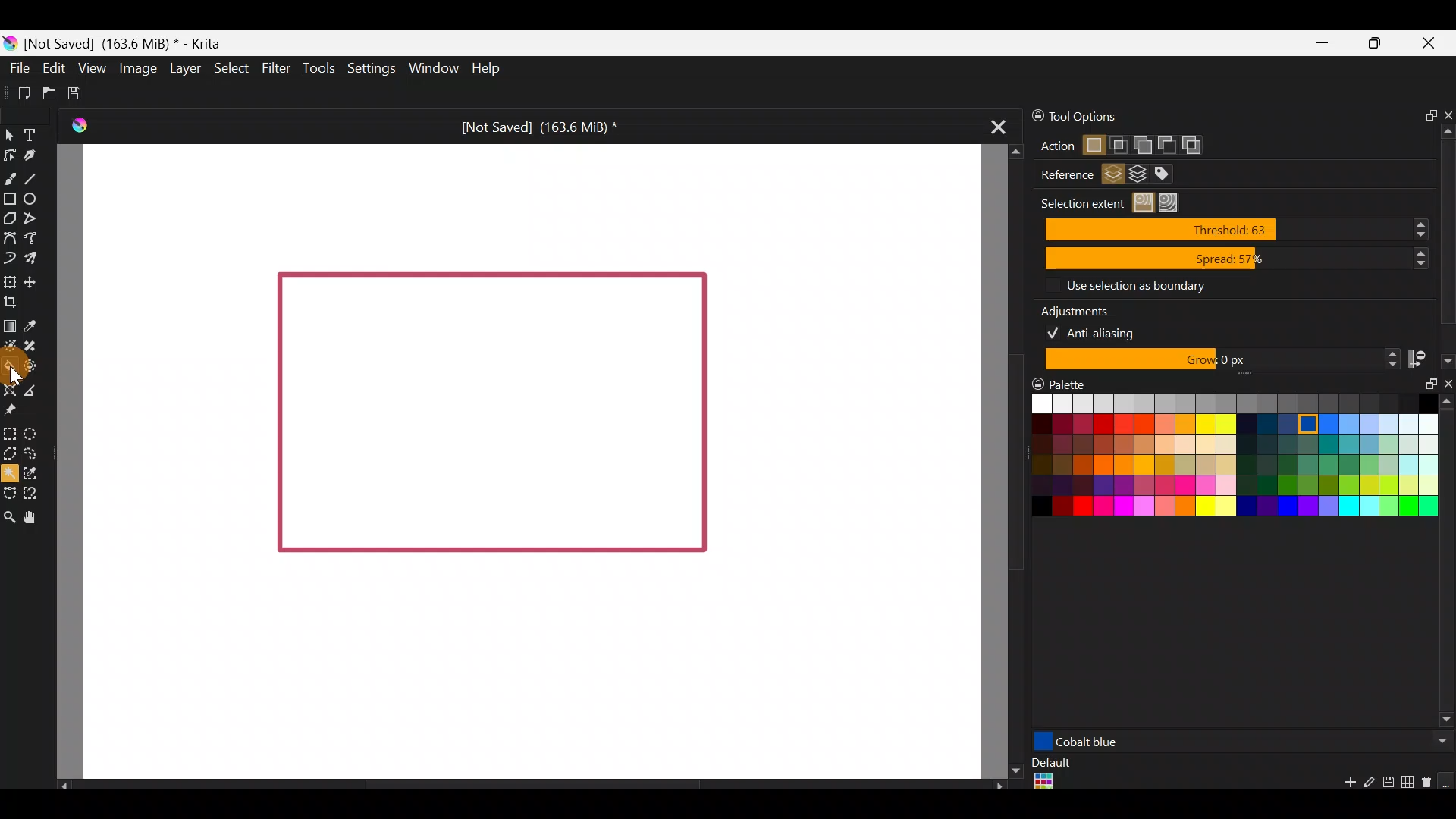 The image size is (1456, 819). What do you see at coordinates (11, 42) in the screenshot?
I see `Krita logo` at bounding box center [11, 42].